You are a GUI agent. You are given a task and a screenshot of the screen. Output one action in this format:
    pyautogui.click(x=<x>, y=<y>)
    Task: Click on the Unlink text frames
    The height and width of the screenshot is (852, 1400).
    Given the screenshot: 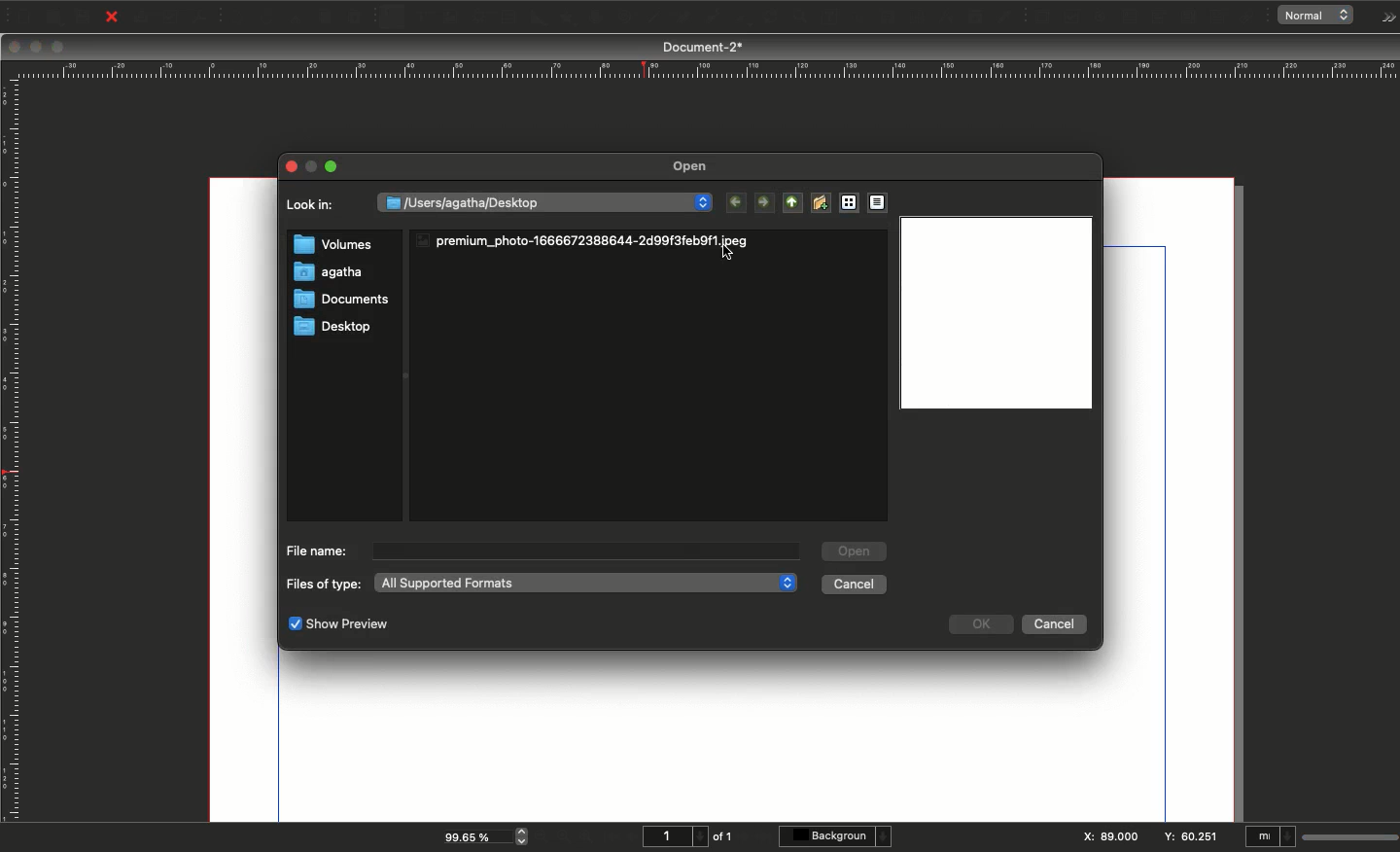 What is the action you would take?
    pyautogui.click(x=911, y=17)
    